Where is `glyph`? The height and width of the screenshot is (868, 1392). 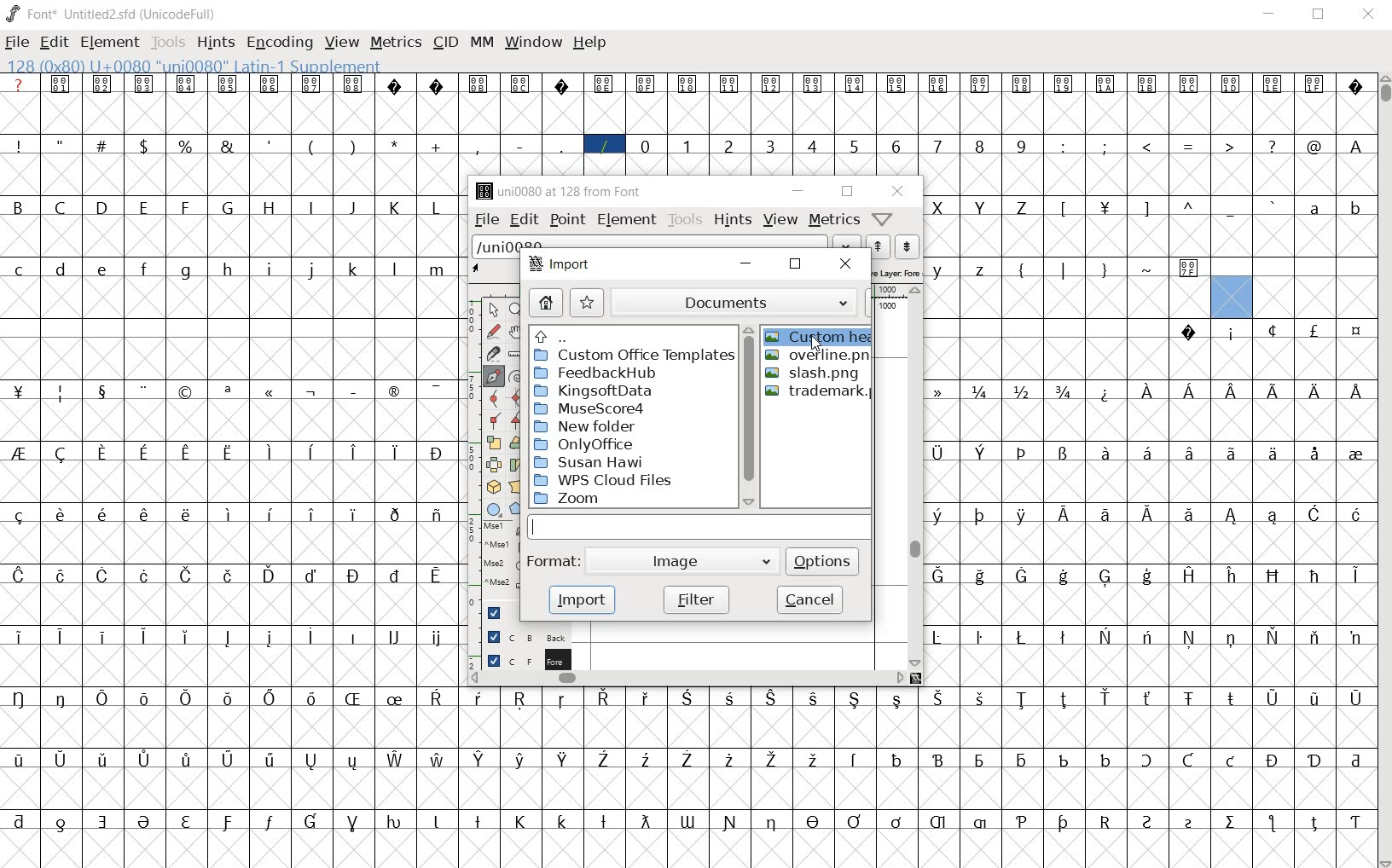 glyph is located at coordinates (1022, 700).